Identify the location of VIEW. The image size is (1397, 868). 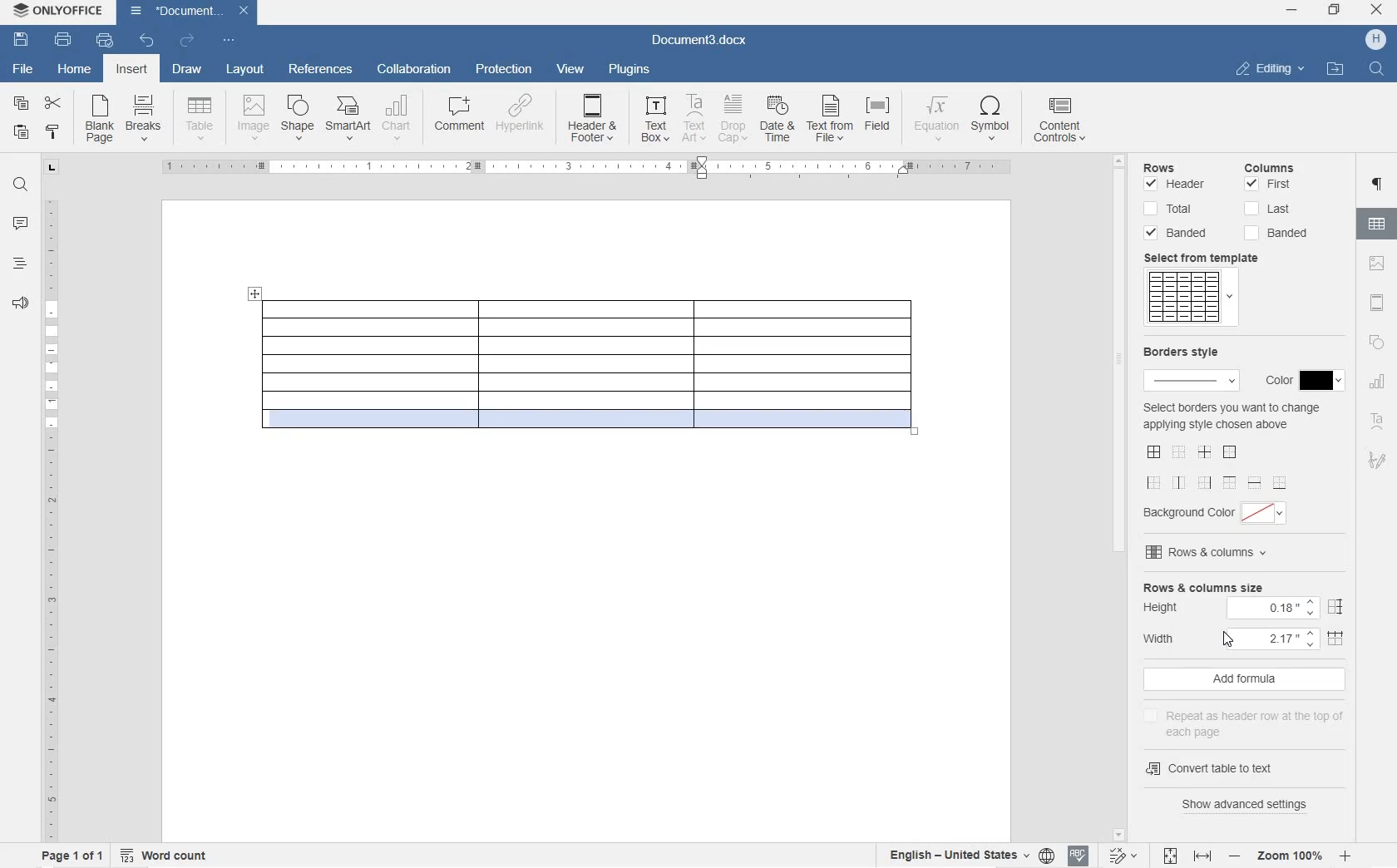
(571, 70).